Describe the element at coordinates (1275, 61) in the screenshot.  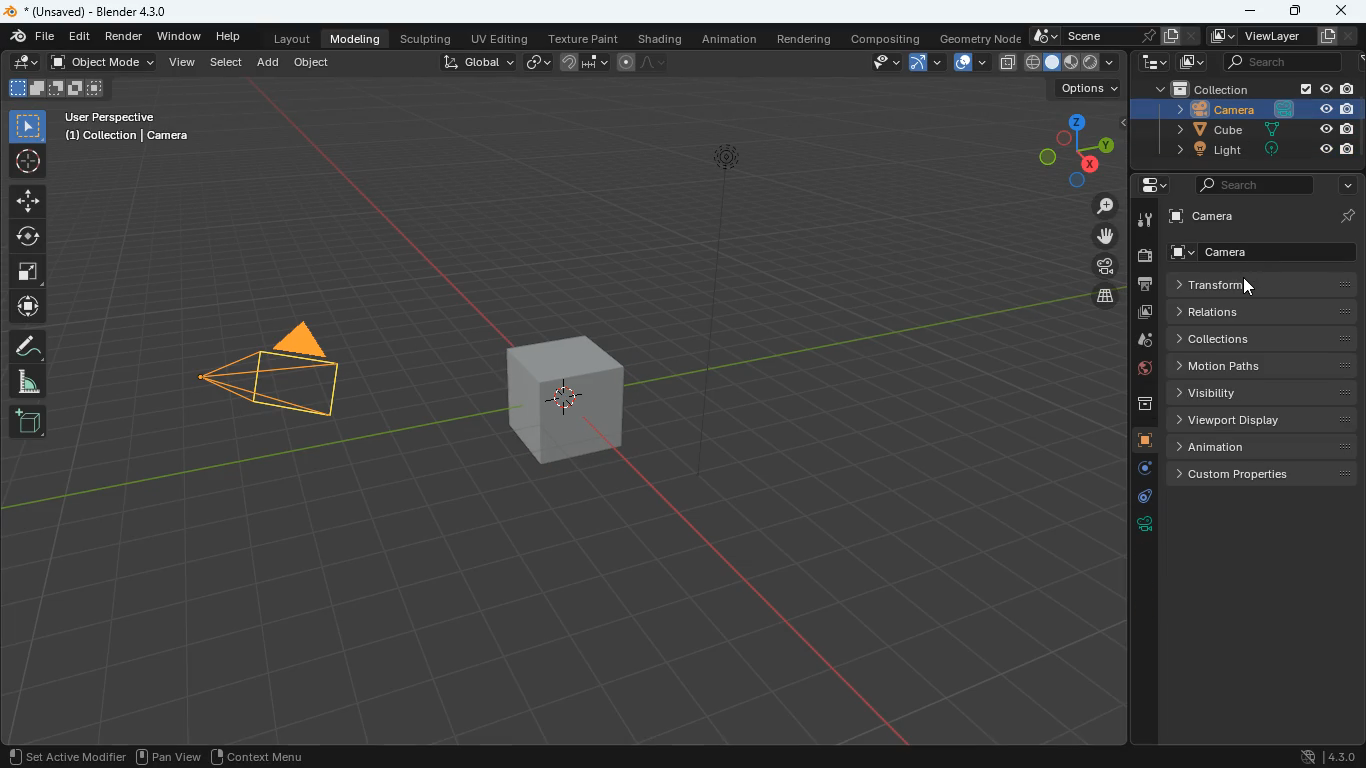
I see `search` at that location.